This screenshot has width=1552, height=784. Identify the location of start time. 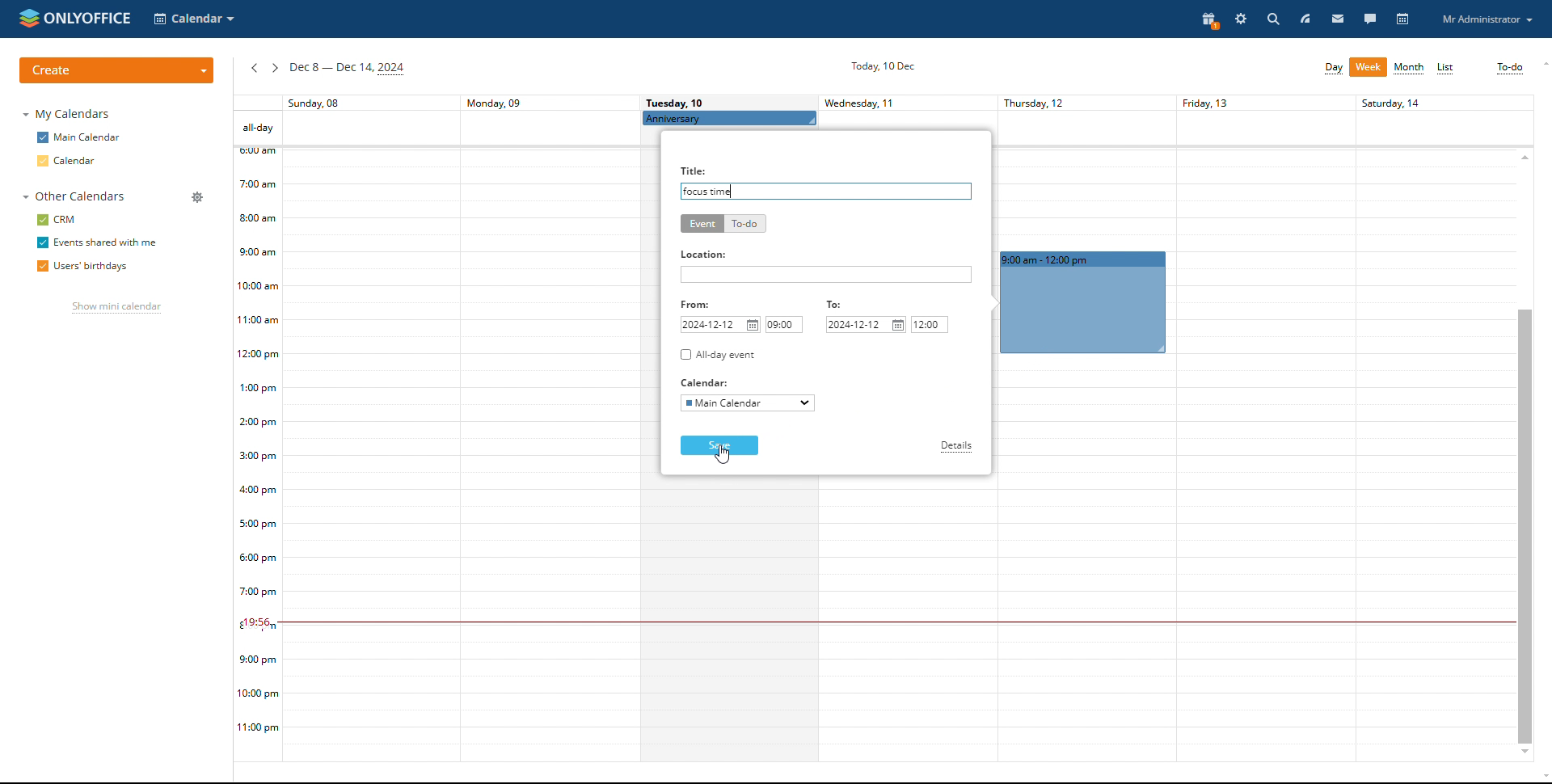
(785, 325).